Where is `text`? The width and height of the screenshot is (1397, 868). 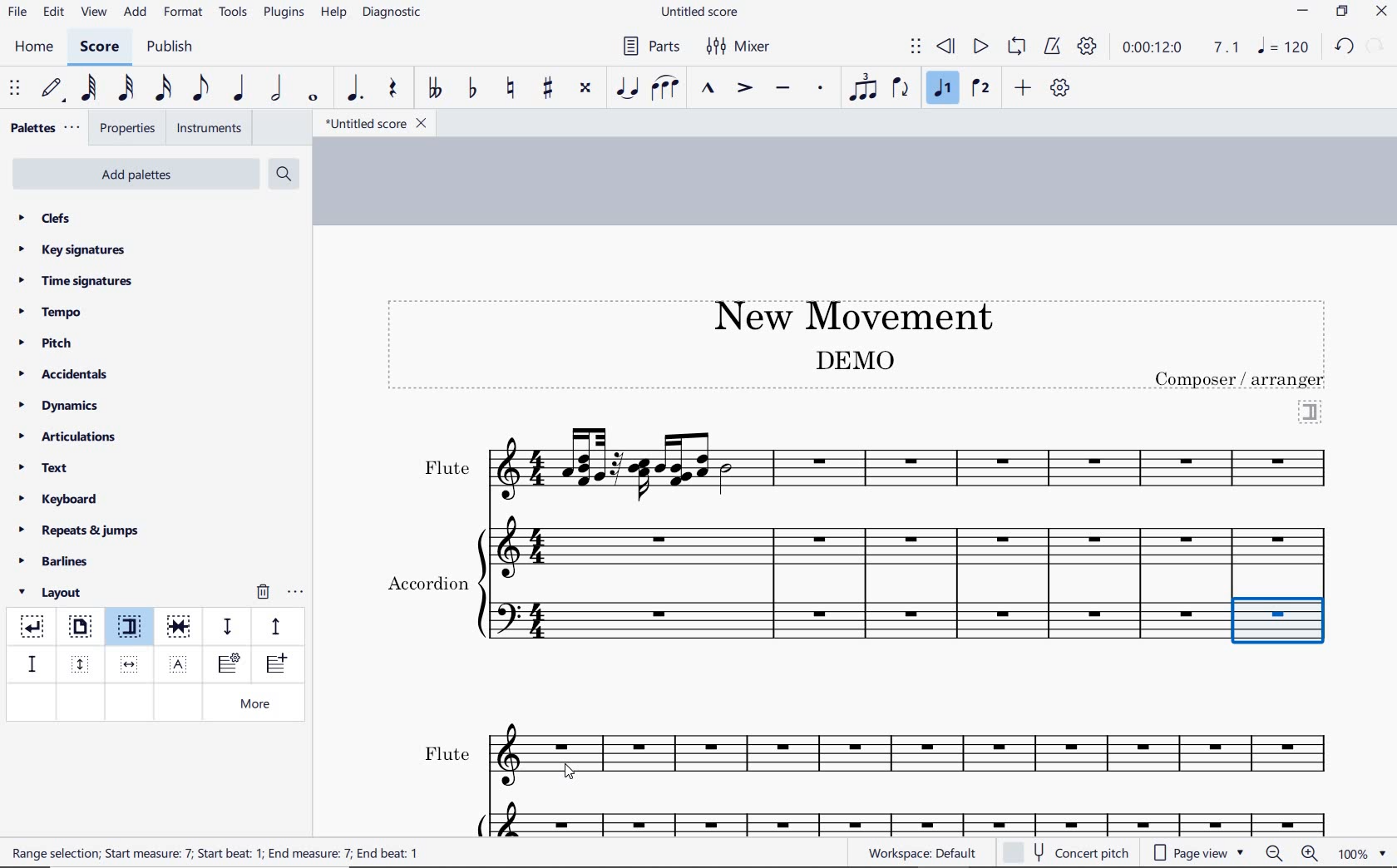
text is located at coordinates (1242, 379).